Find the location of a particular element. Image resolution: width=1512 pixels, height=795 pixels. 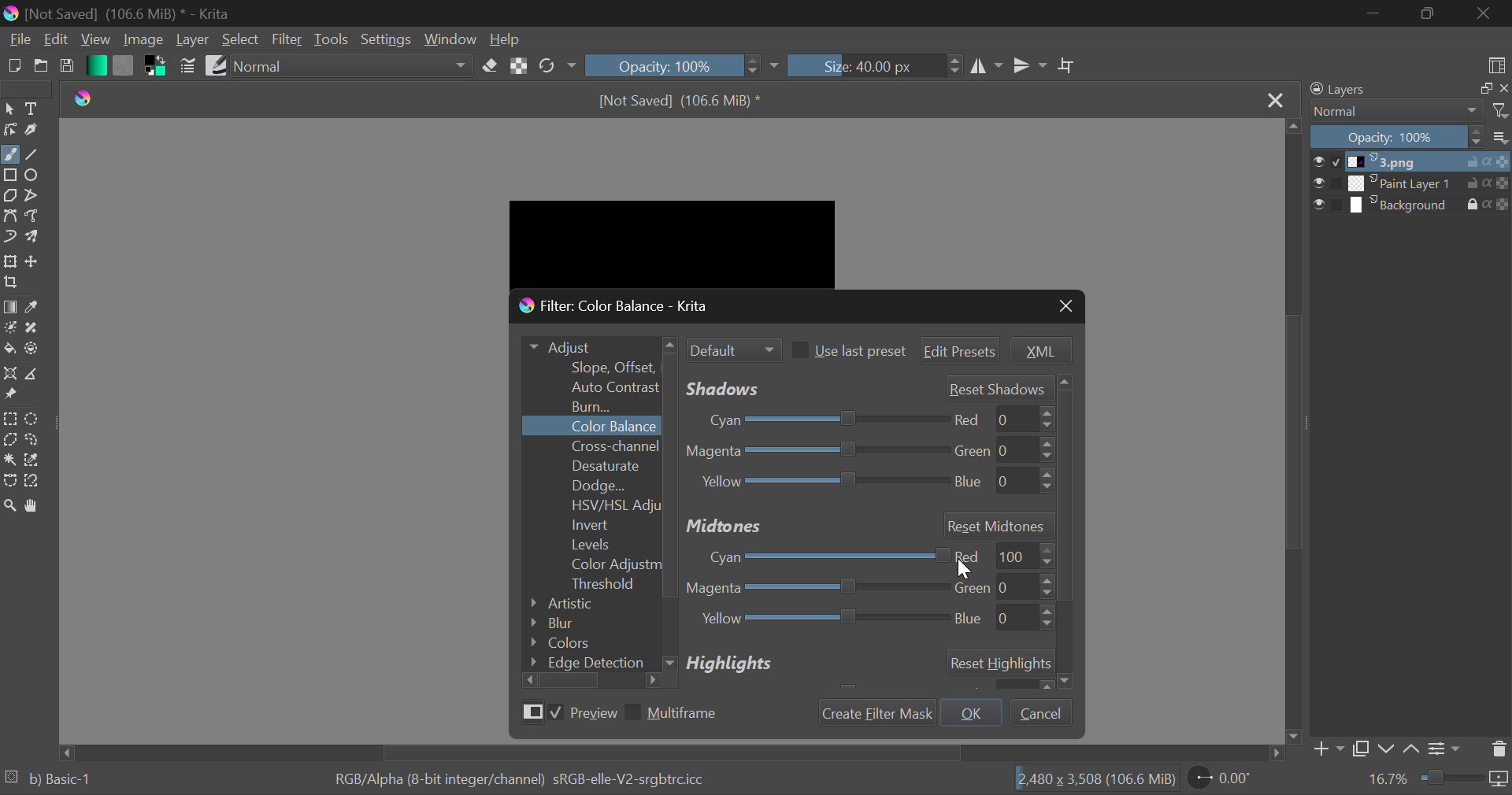

Colorize Mask Tool is located at coordinates (11, 329).